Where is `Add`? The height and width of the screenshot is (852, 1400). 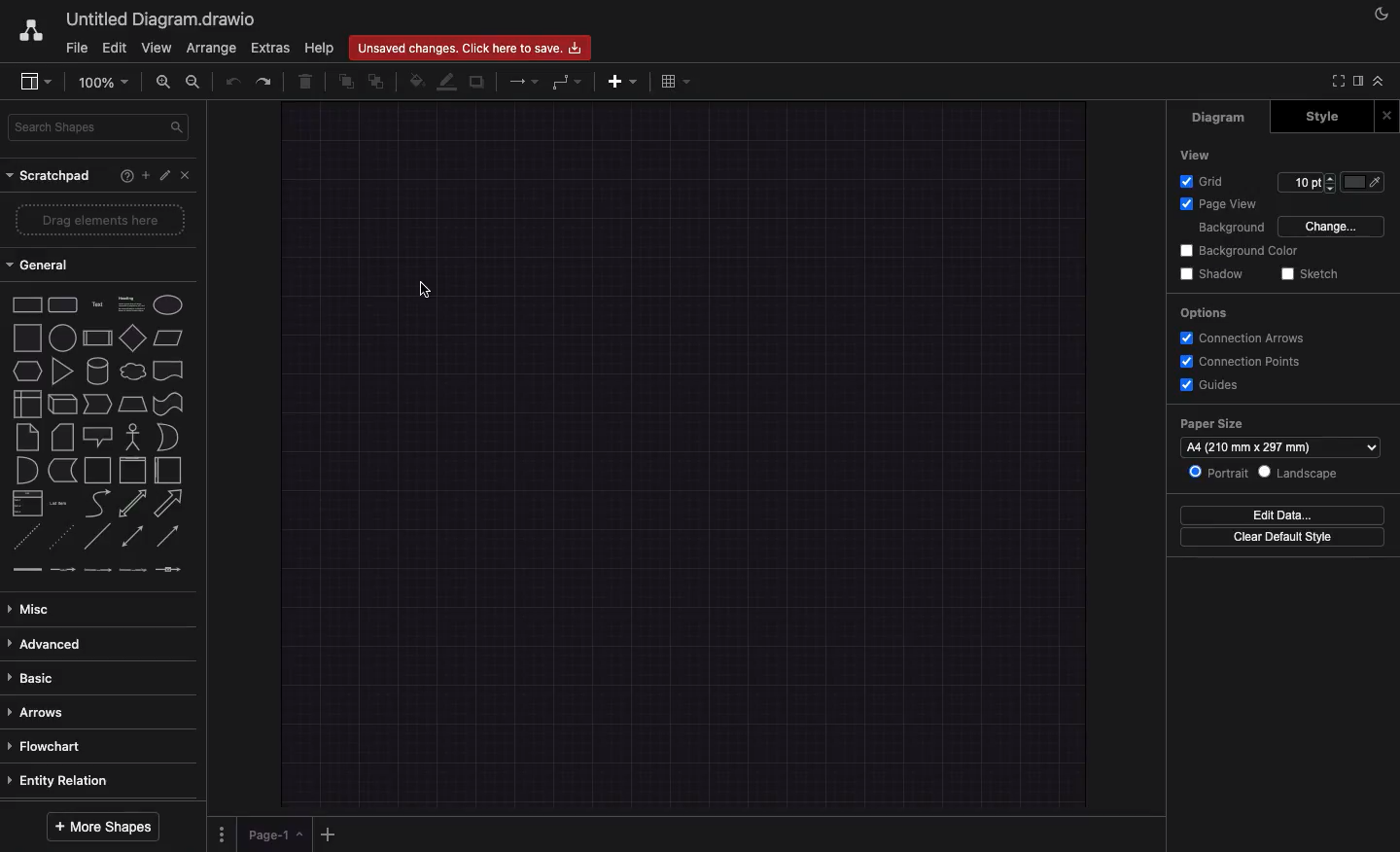
Add is located at coordinates (626, 81).